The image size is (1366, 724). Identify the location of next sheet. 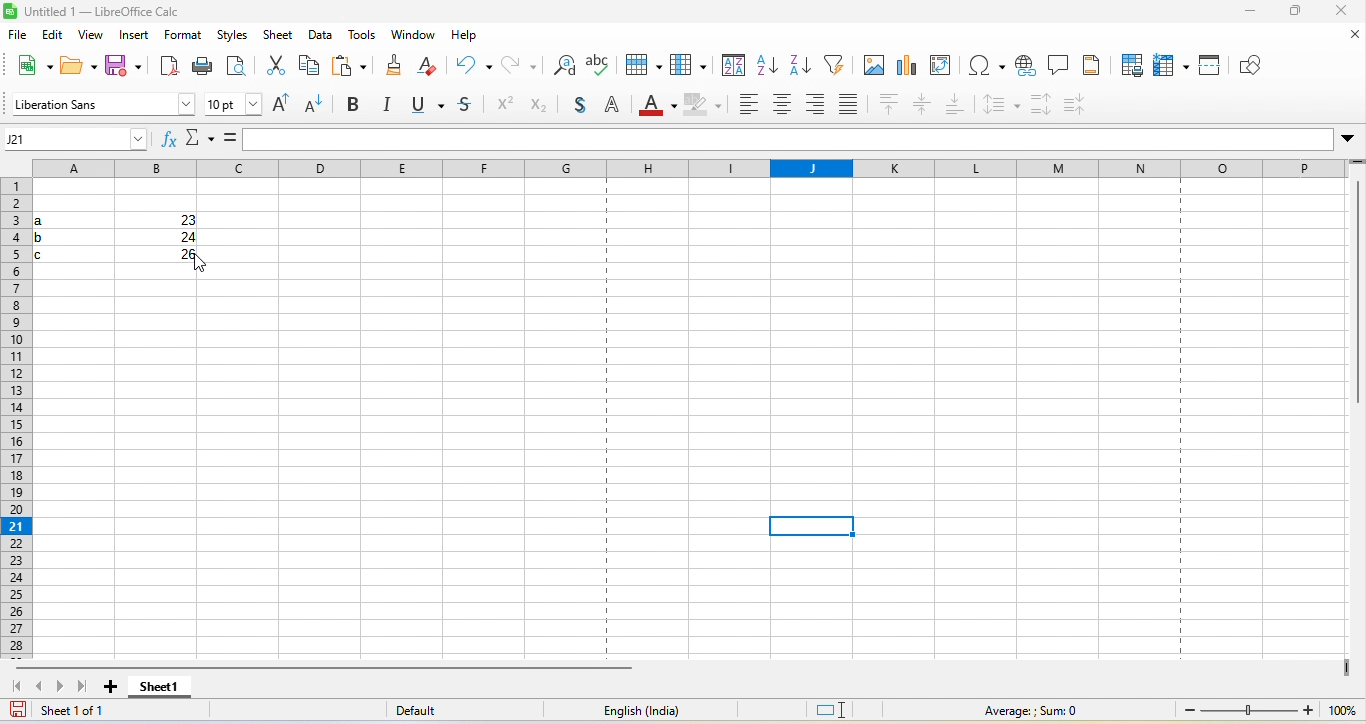
(61, 691).